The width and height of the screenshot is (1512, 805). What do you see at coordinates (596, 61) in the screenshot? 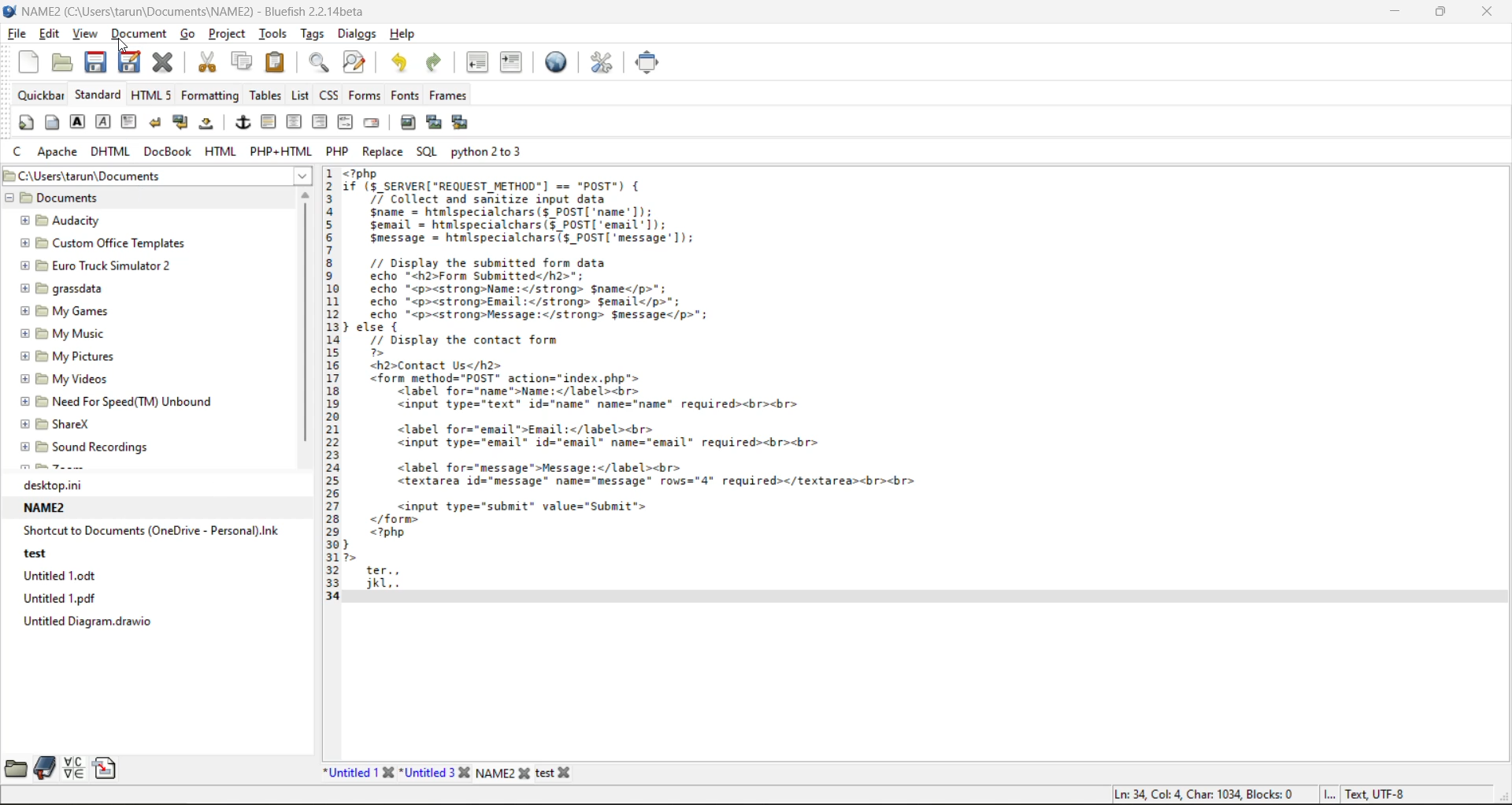
I see `edit preferences` at bounding box center [596, 61].